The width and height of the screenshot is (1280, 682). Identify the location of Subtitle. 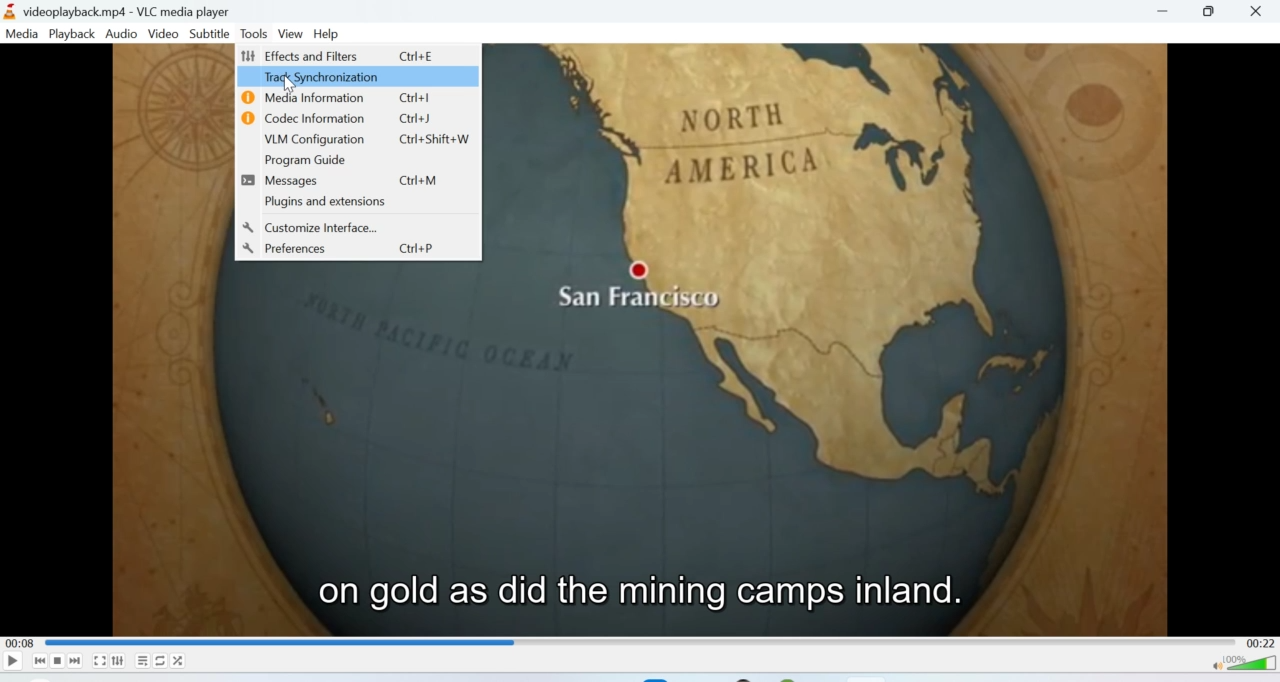
(210, 33).